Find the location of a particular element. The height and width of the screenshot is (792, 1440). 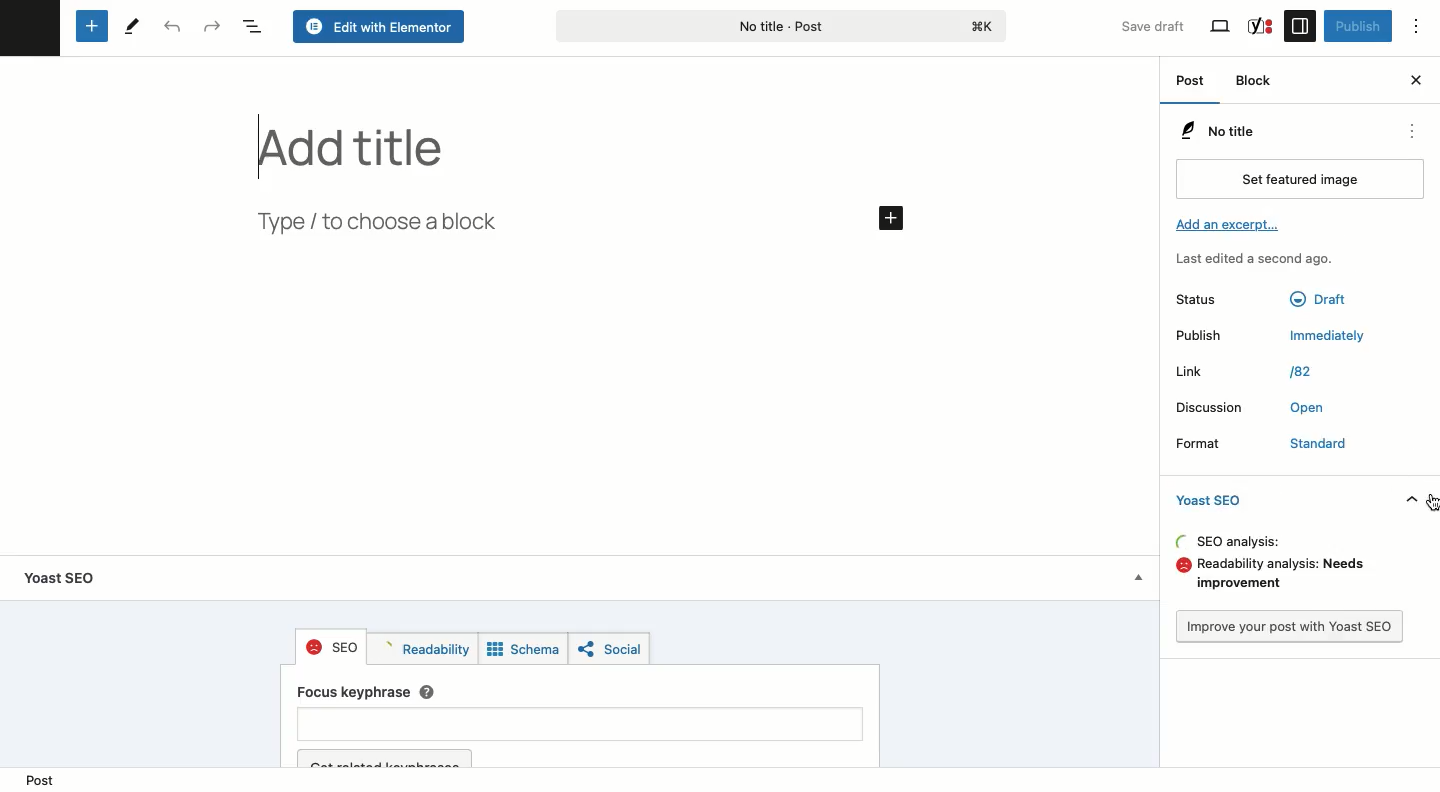

No title - Post is located at coordinates (780, 27).